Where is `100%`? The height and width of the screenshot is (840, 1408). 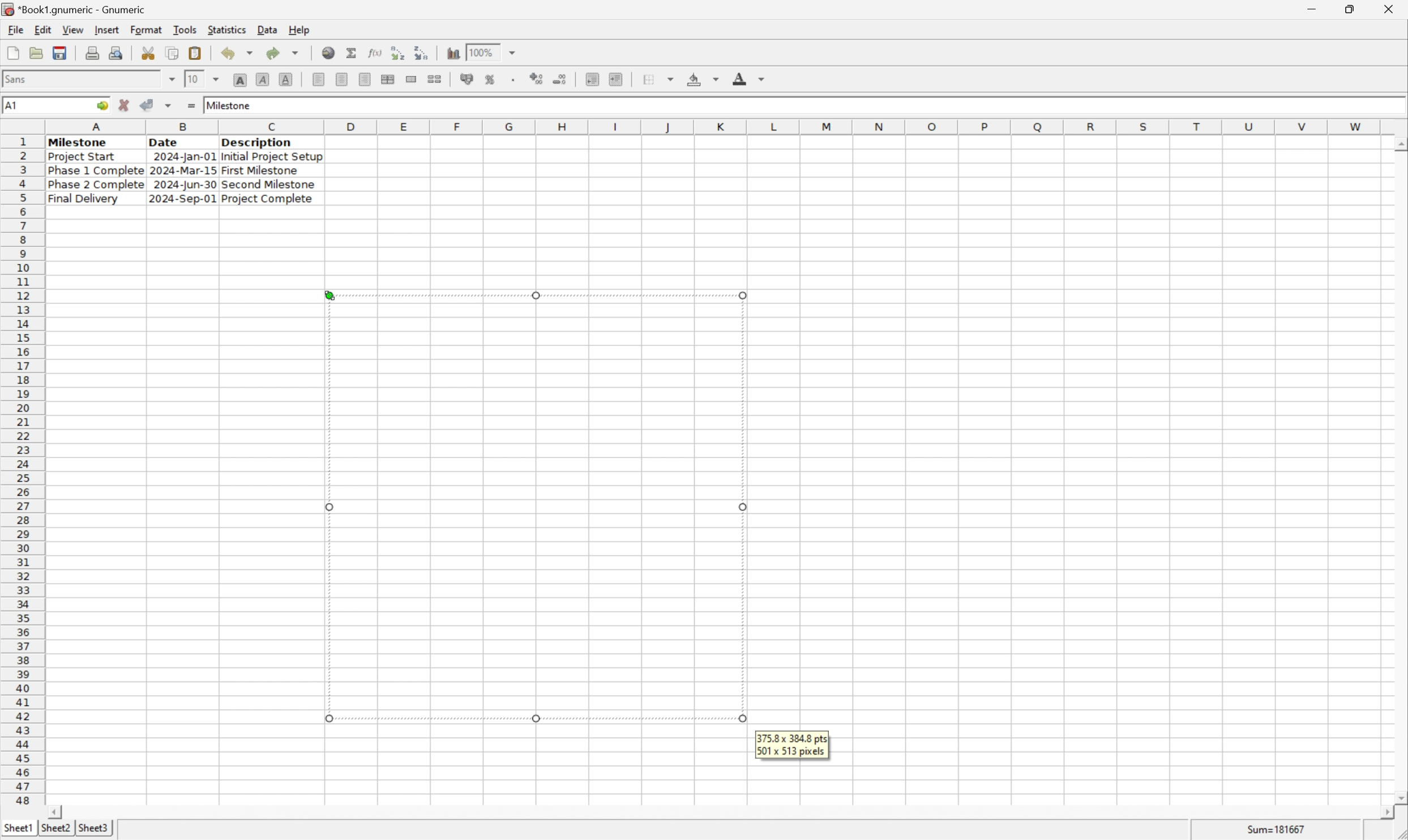 100% is located at coordinates (483, 50).